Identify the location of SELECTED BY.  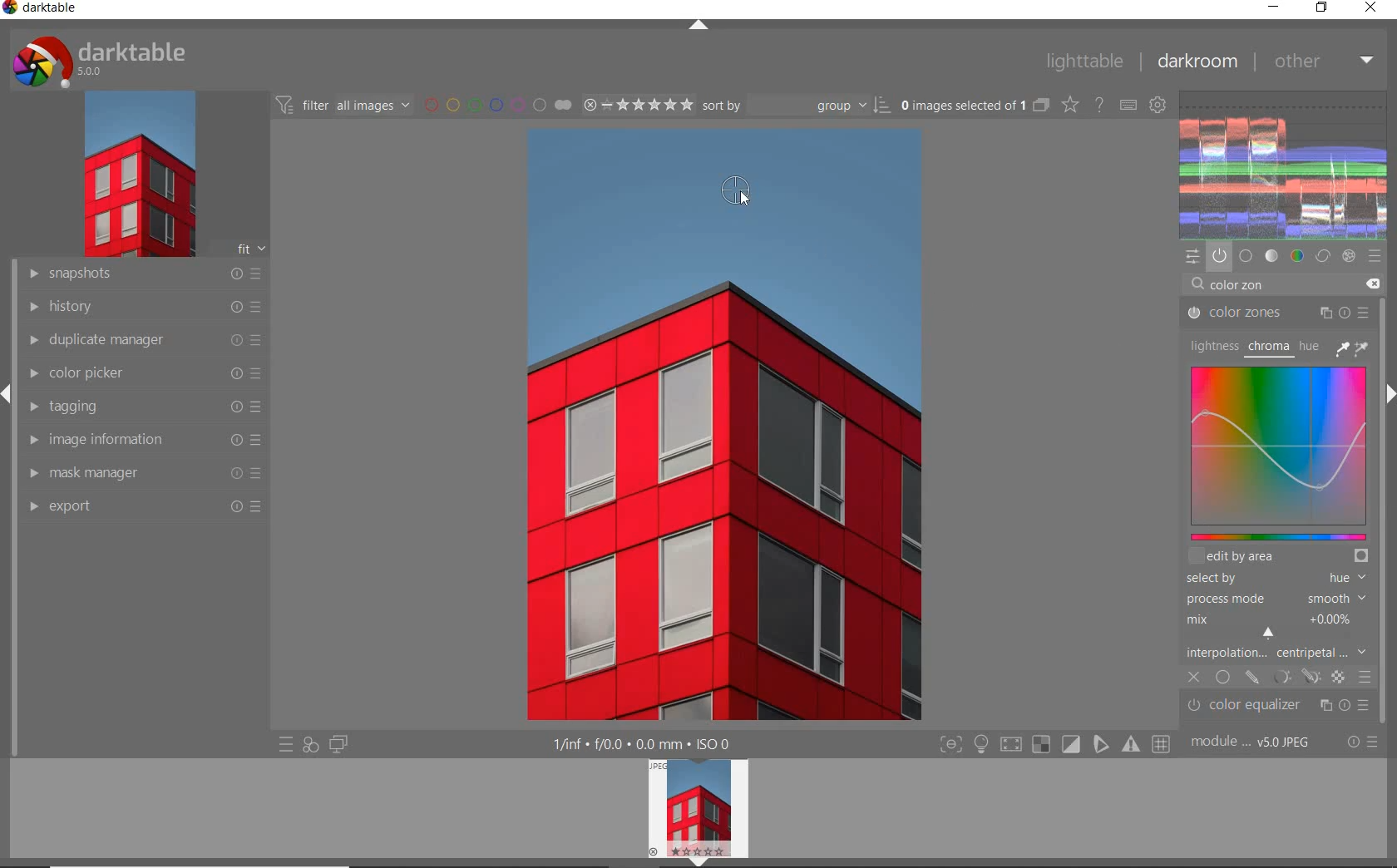
(1271, 579).